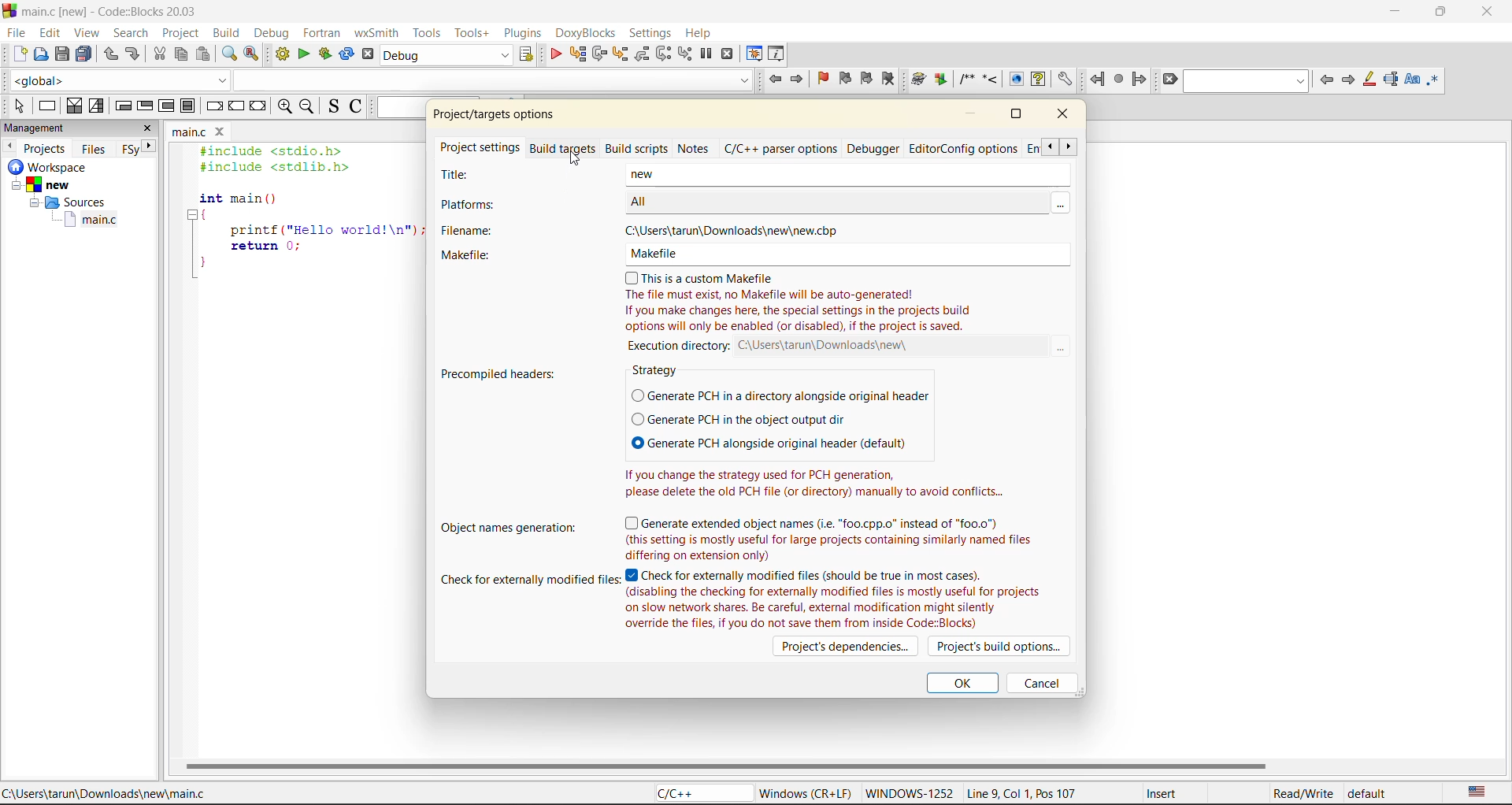  I want to click on instruction, so click(50, 106).